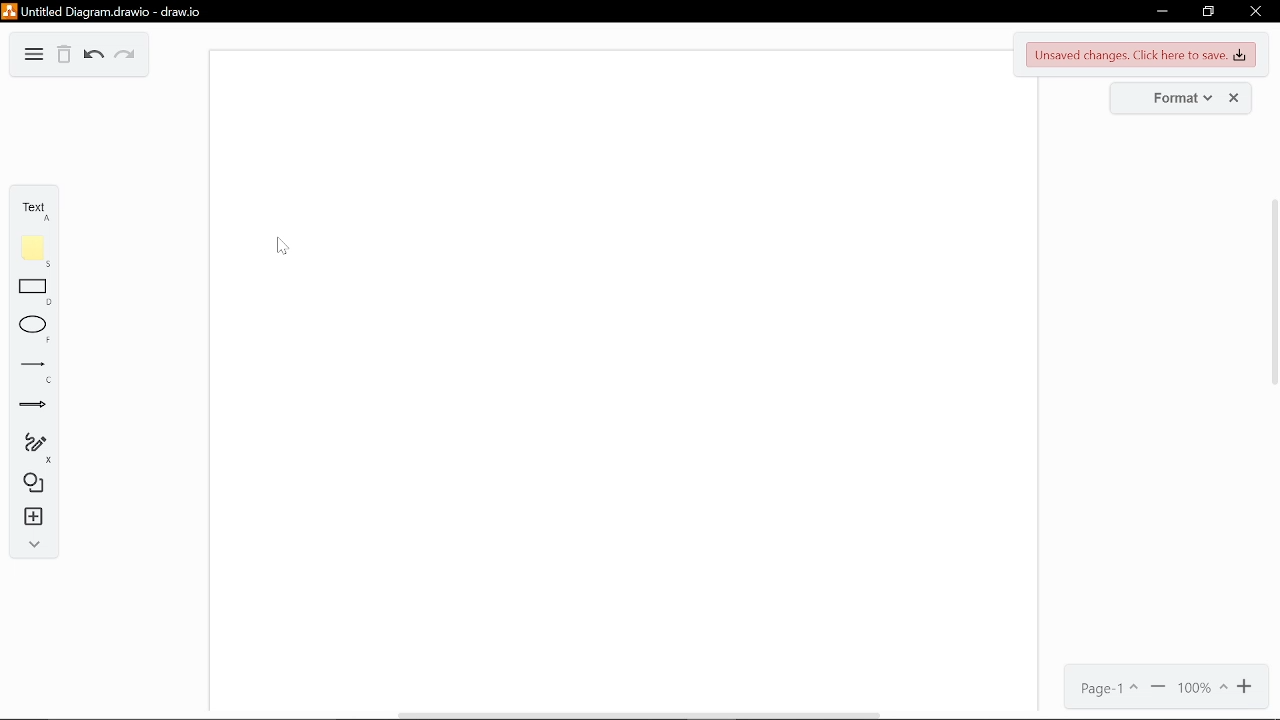  I want to click on redo, so click(128, 58).